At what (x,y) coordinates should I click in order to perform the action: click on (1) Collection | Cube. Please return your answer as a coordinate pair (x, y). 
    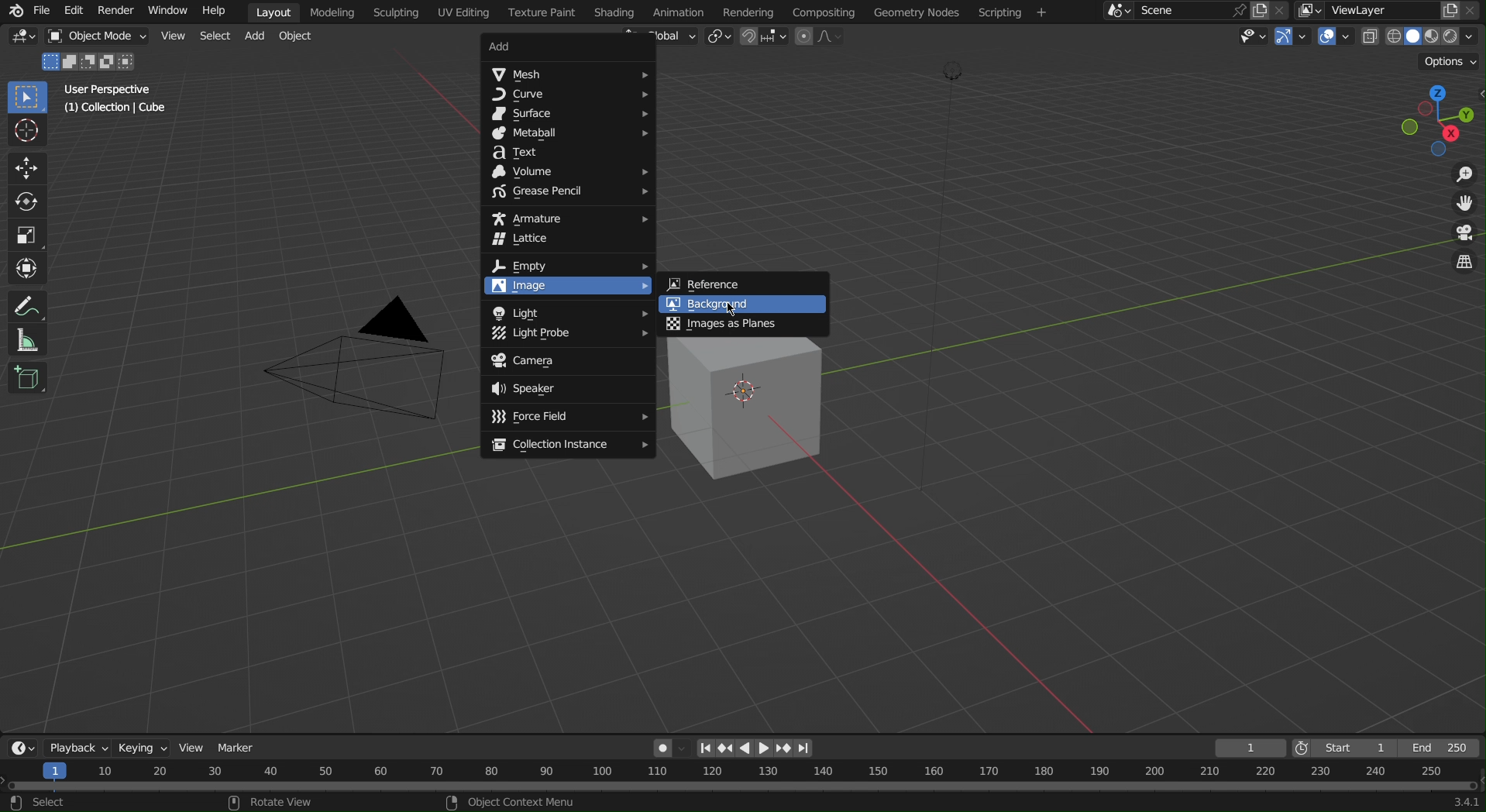
    Looking at the image, I should click on (118, 109).